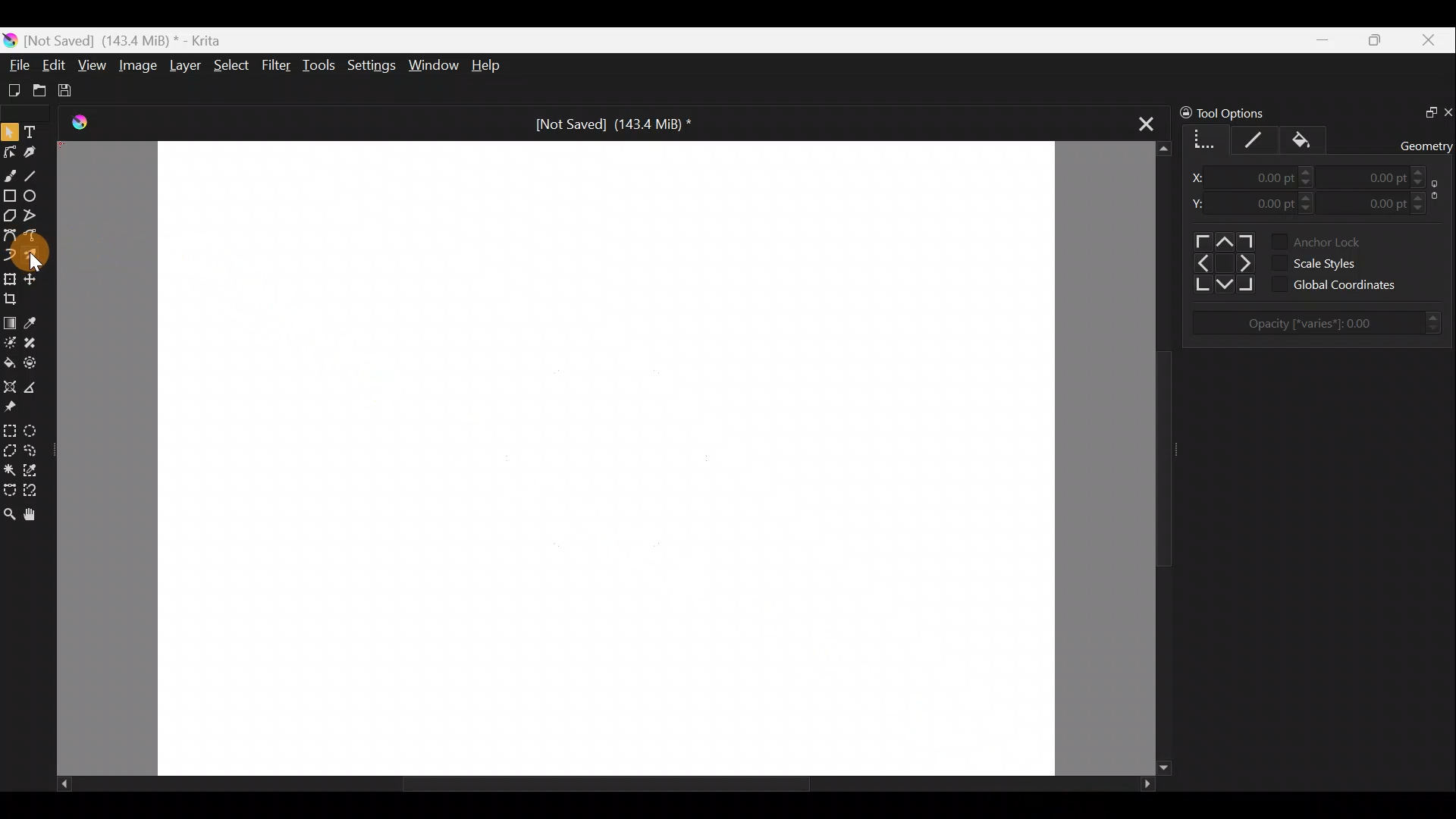 The height and width of the screenshot is (819, 1456). Describe the element at coordinates (31, 196) in the screenshot. I see `Ellipse` at that location.